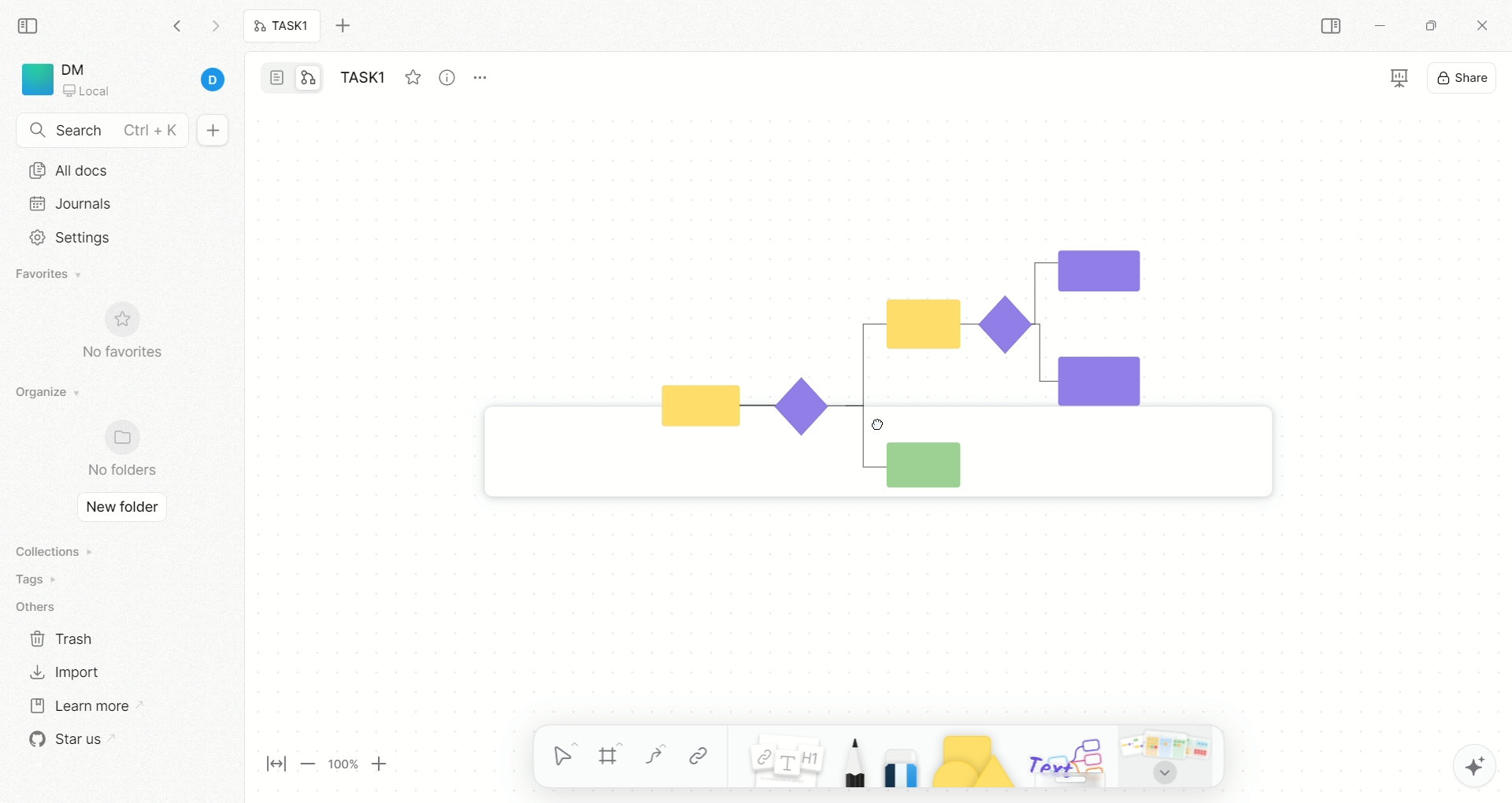 The image size is (1512, 803). I want to click on others, so click(39, 608).